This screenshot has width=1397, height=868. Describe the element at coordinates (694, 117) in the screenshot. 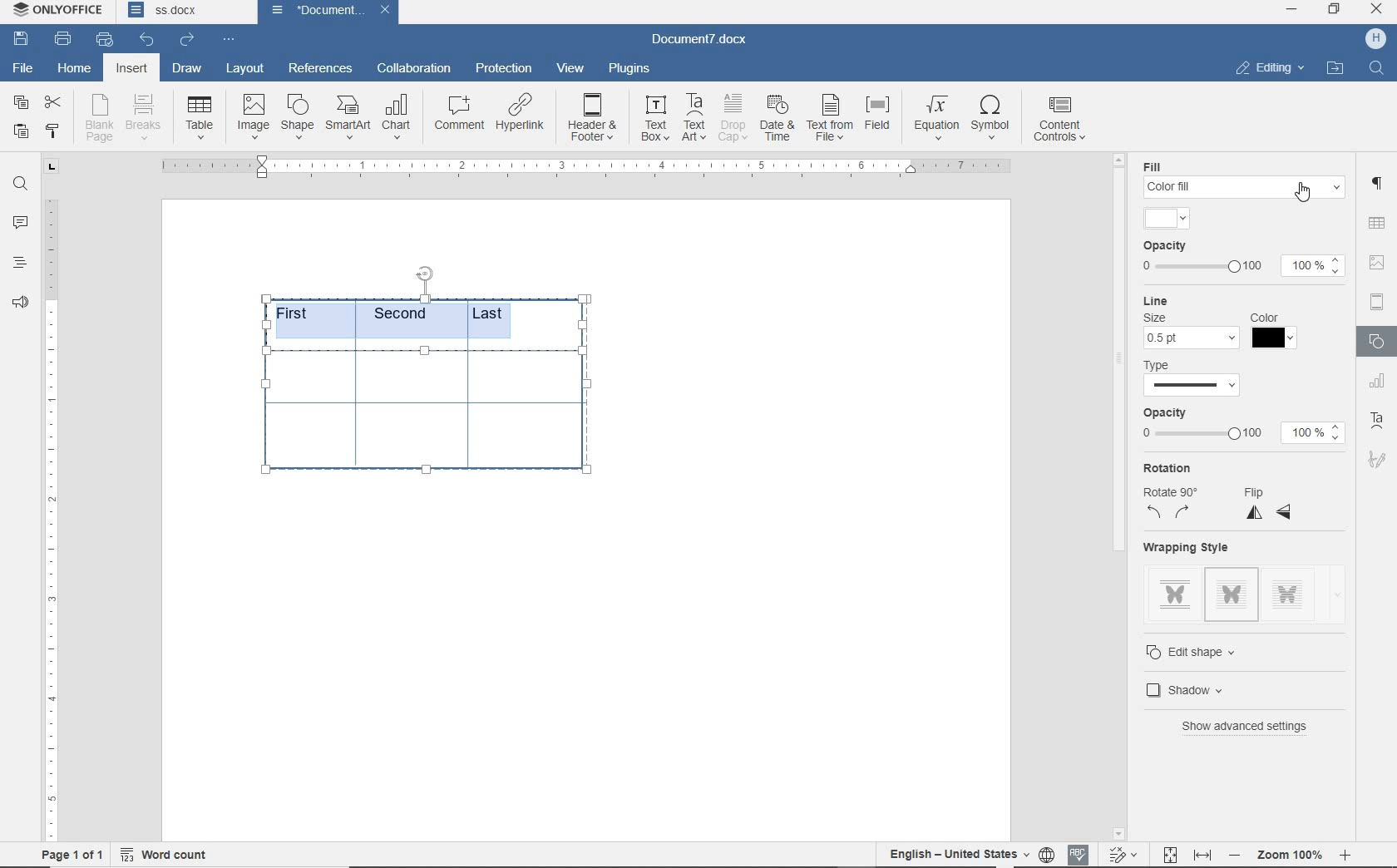

I see `text art` at that location.